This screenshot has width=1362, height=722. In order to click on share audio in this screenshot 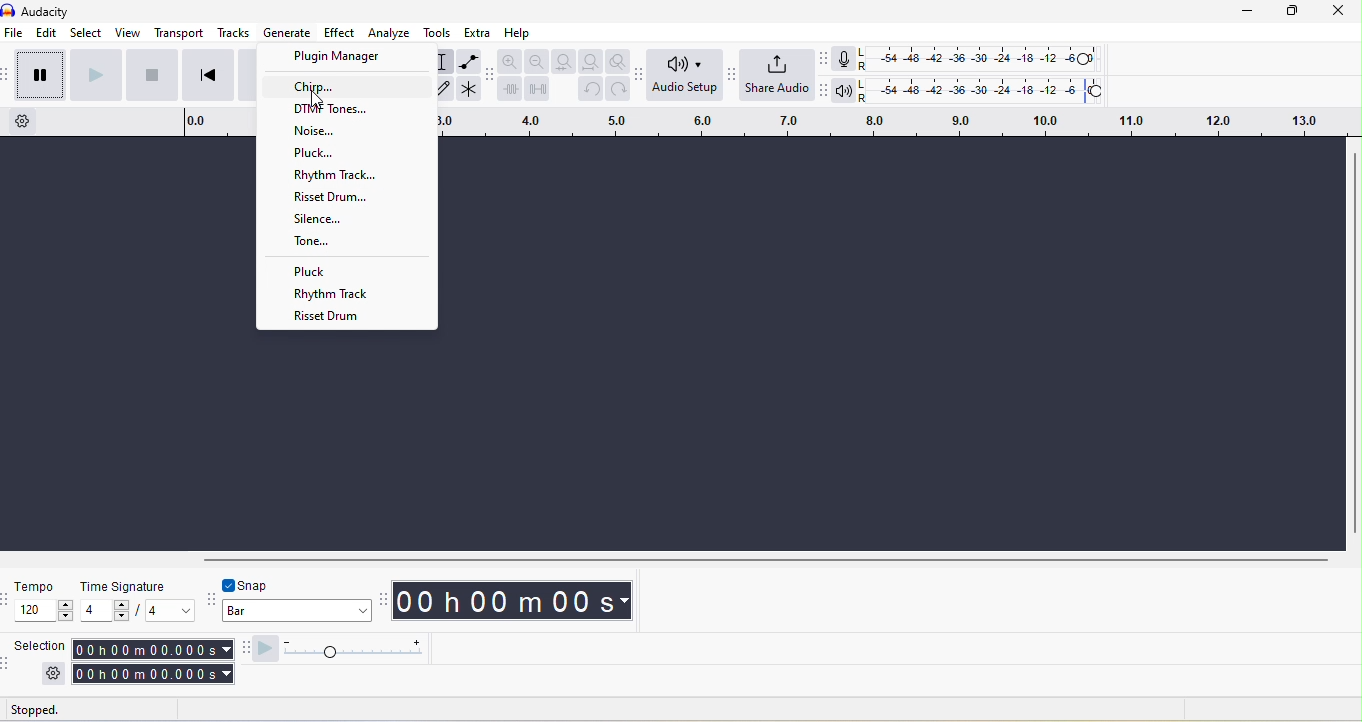, I will do `click(779, 75)`.